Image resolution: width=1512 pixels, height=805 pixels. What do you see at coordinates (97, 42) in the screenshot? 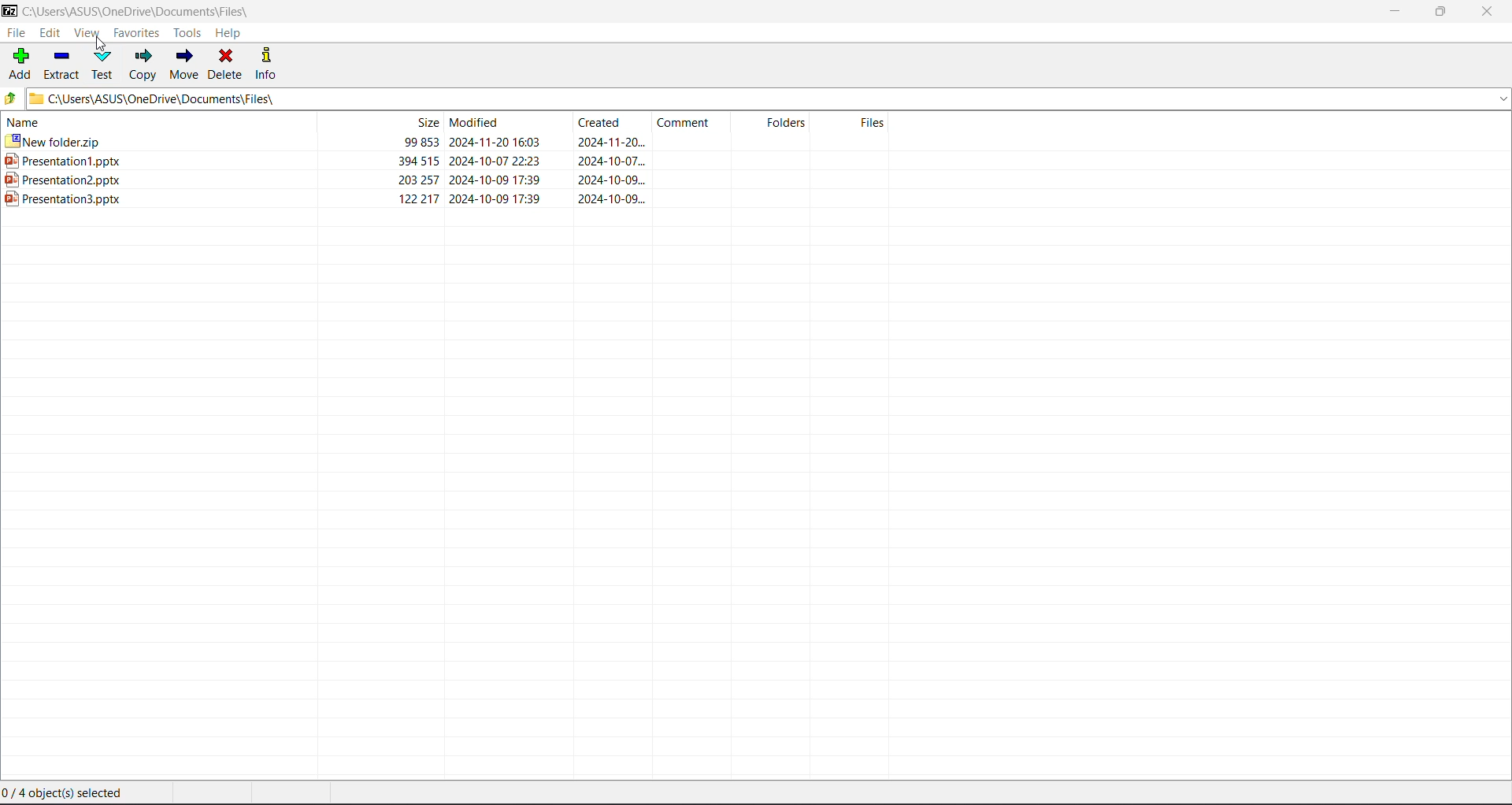
I see `cursor` at bounding box center [97, 42].